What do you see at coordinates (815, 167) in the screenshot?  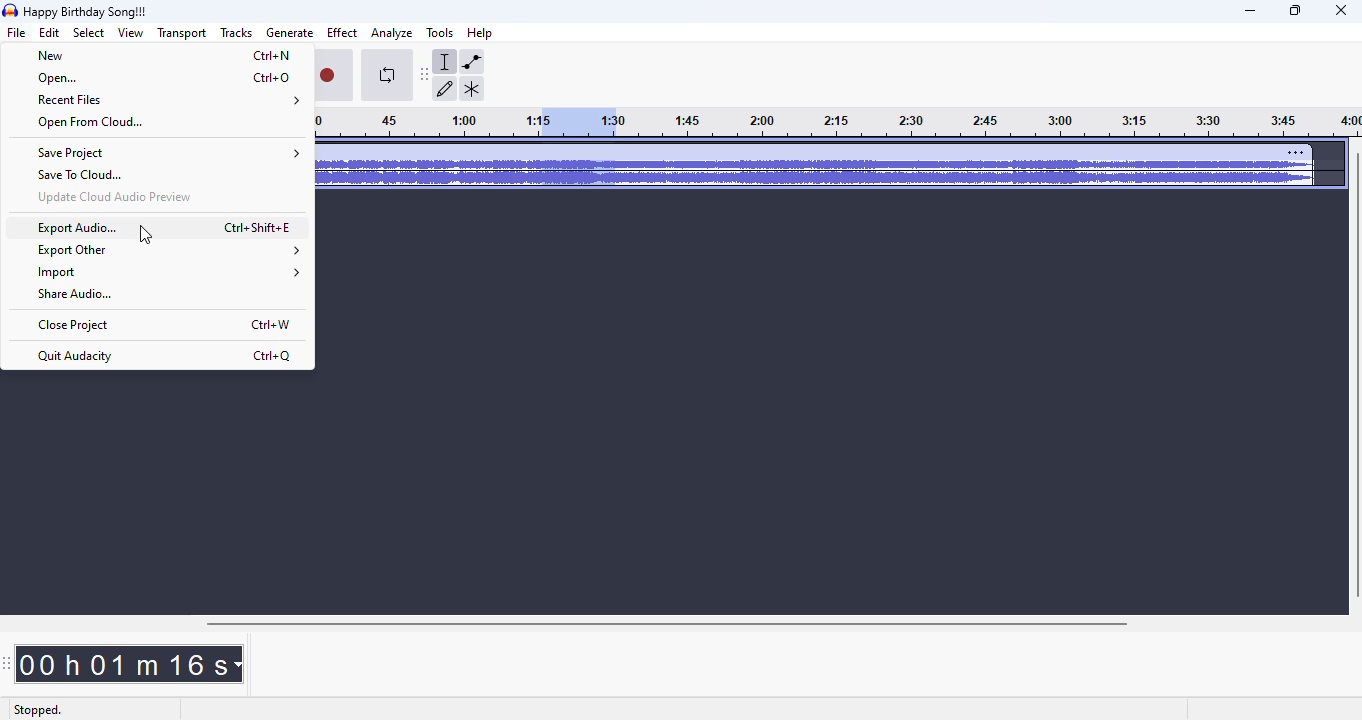 I see `audio track` at bounding box center [815, 167].